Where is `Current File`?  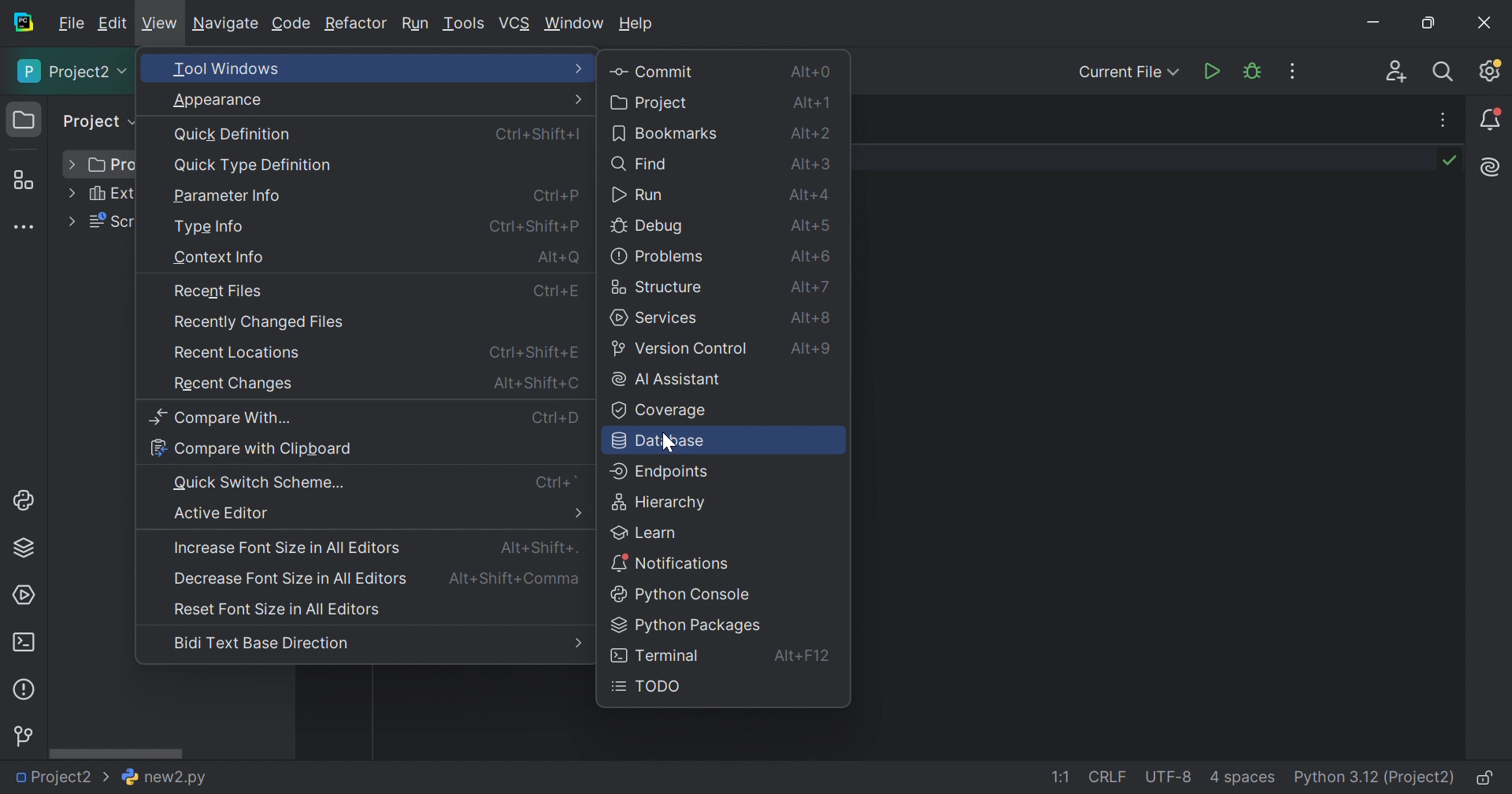
Current File is located at coordinates (1128, 73).